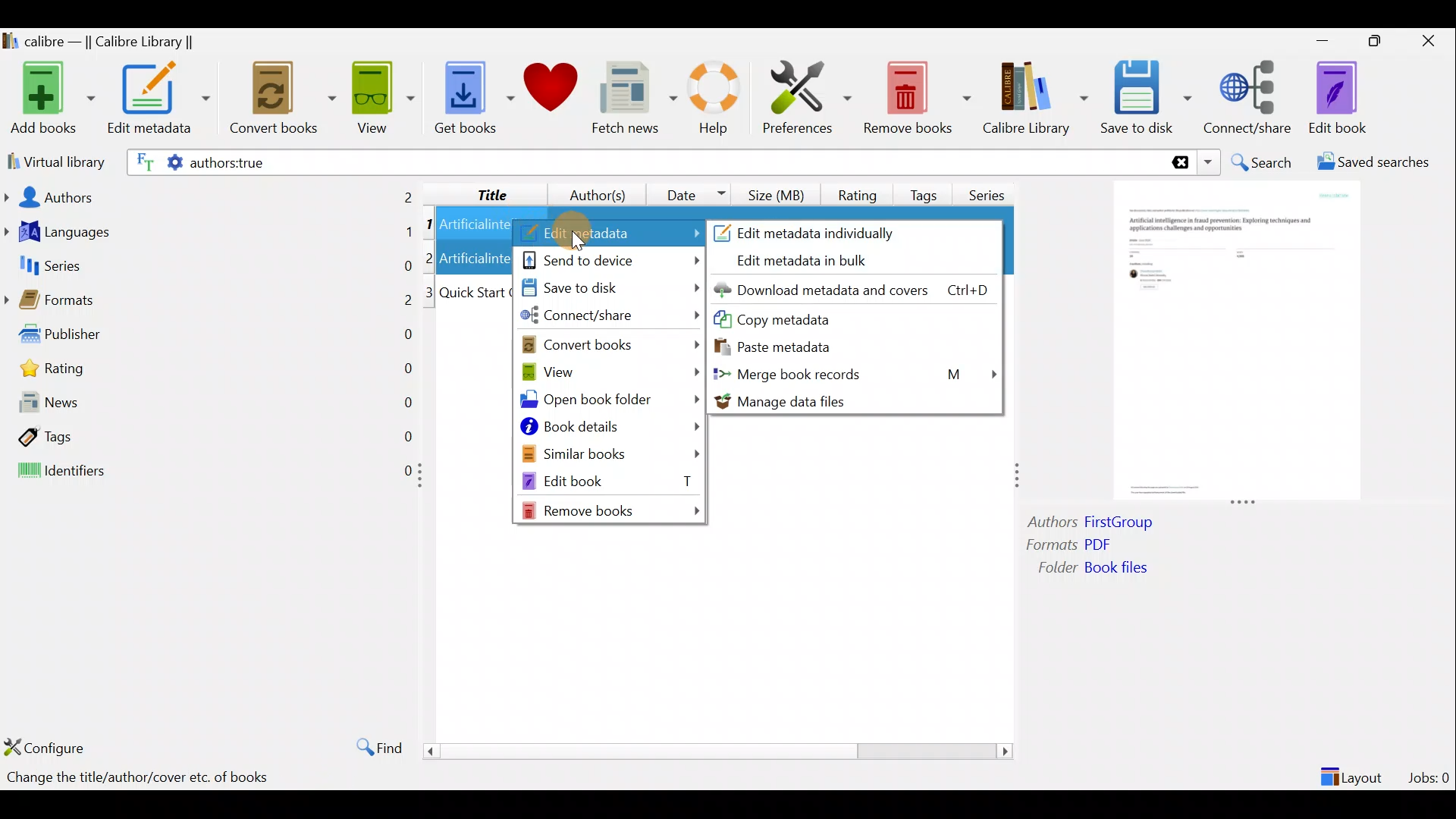 Image resolution: width=1456 pixels, height=819 pixels. What do you see at coordinates (591, 191) in the screenshot?
I see `Author(s)` at bounding box center [591, 191].